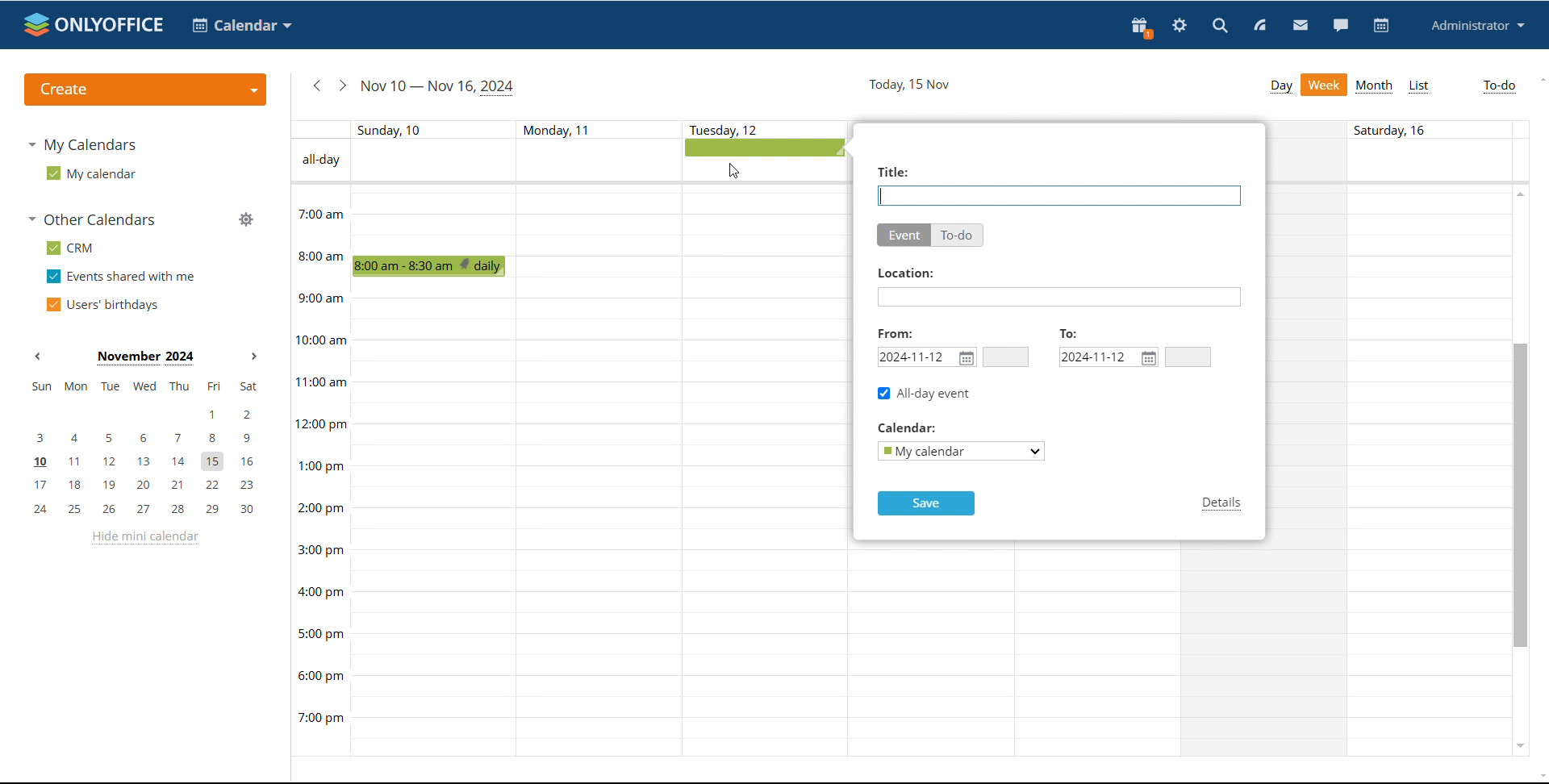  I want to click on current month, so click(145, 358).